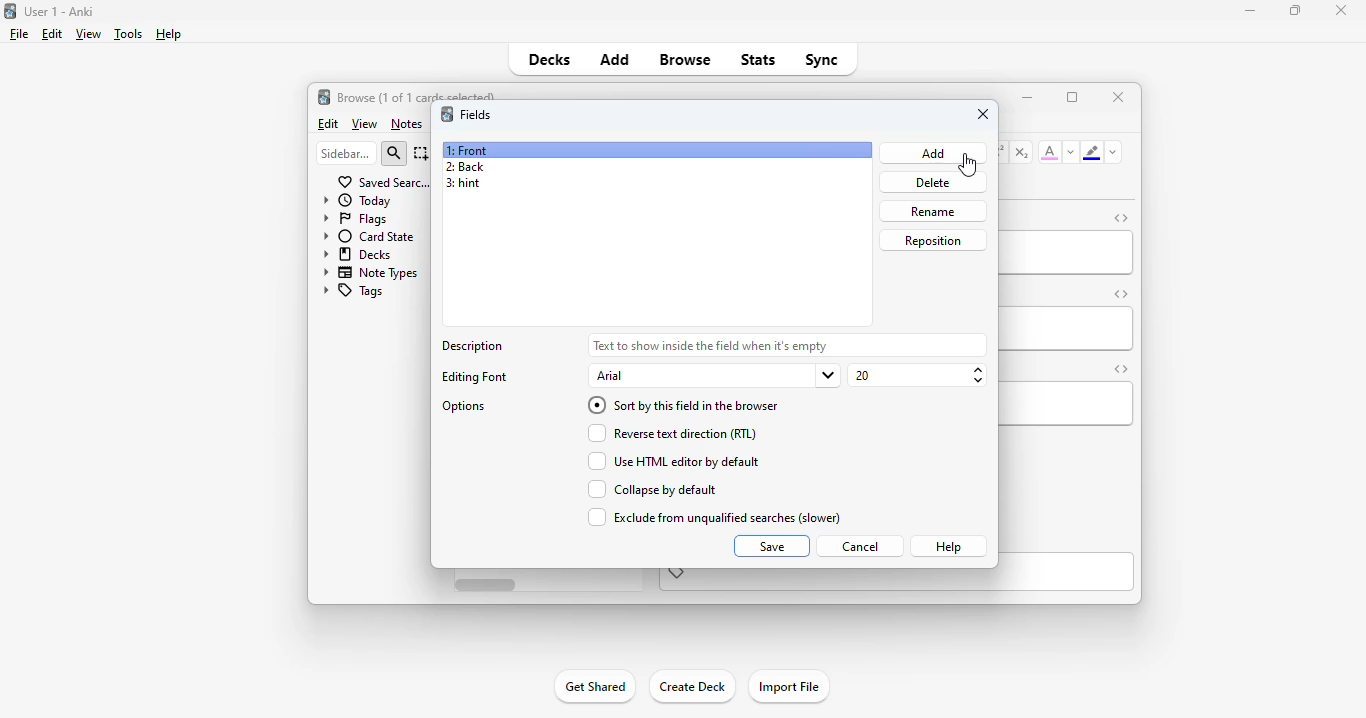  I want to click on collapse by default, so click(651, 489).